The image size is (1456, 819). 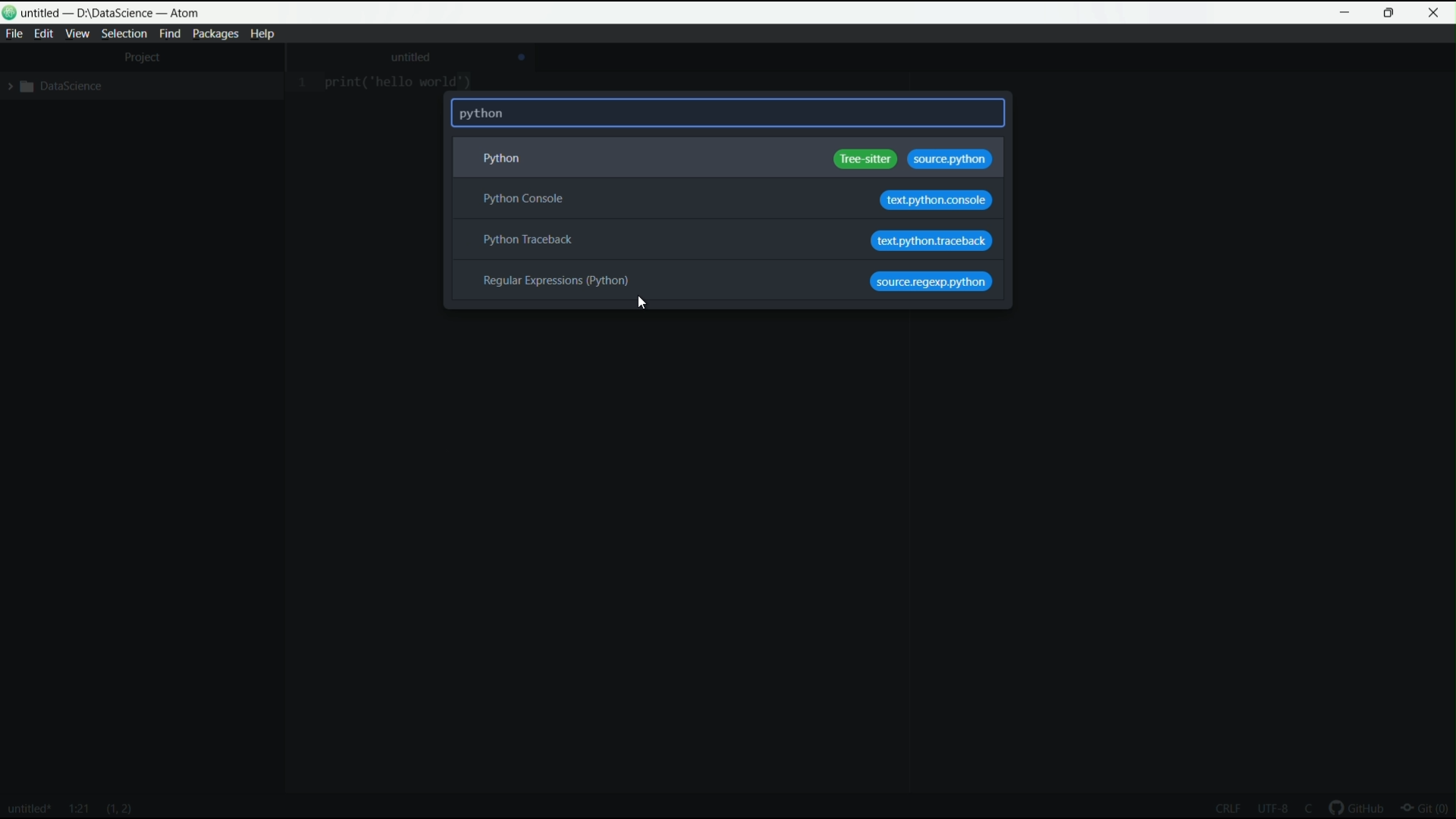 I want to click on untitled, so click(x=412, y=57).